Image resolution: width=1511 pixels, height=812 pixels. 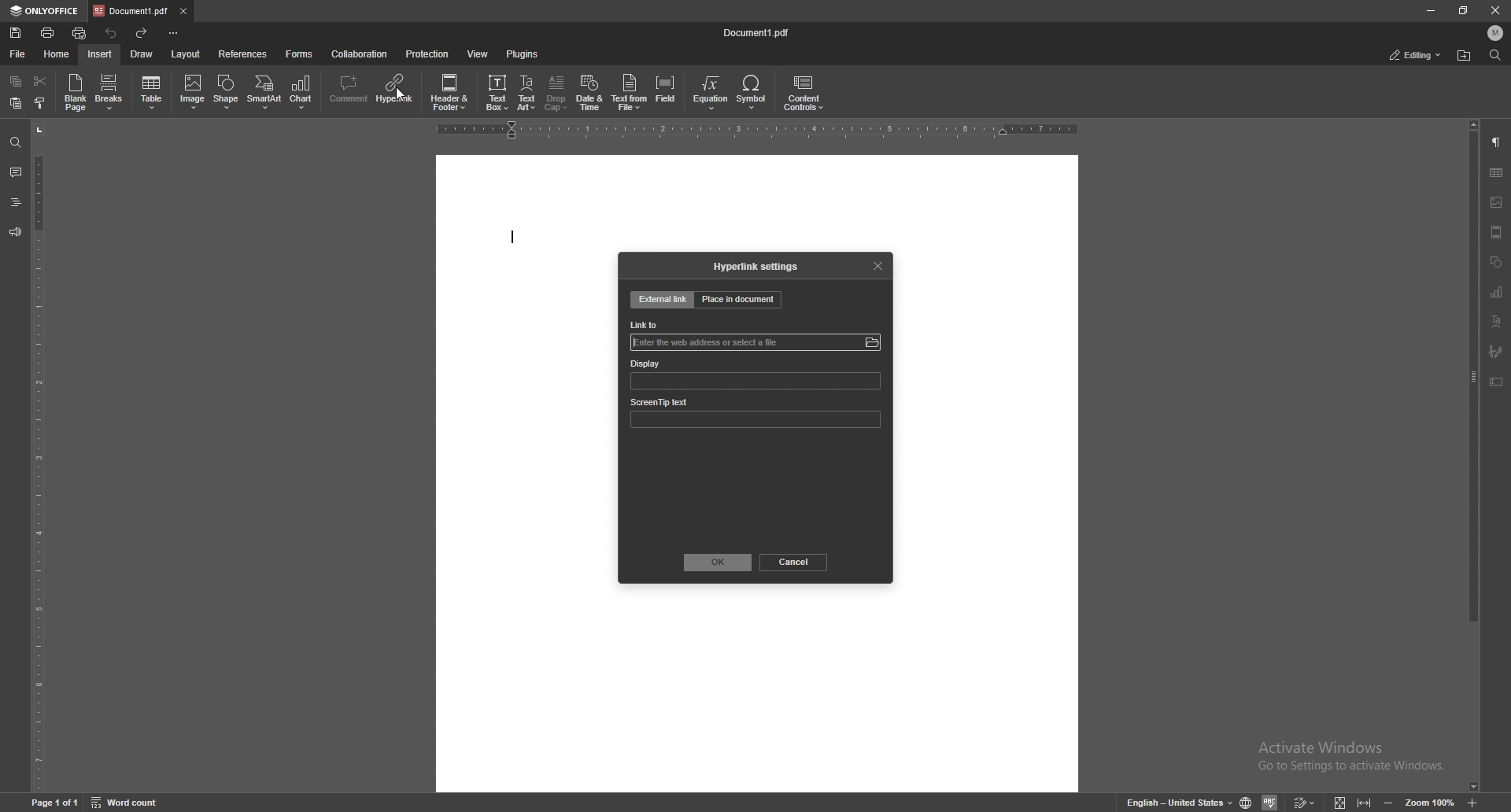 I want to click on symbol, so click(x=754, y=93).